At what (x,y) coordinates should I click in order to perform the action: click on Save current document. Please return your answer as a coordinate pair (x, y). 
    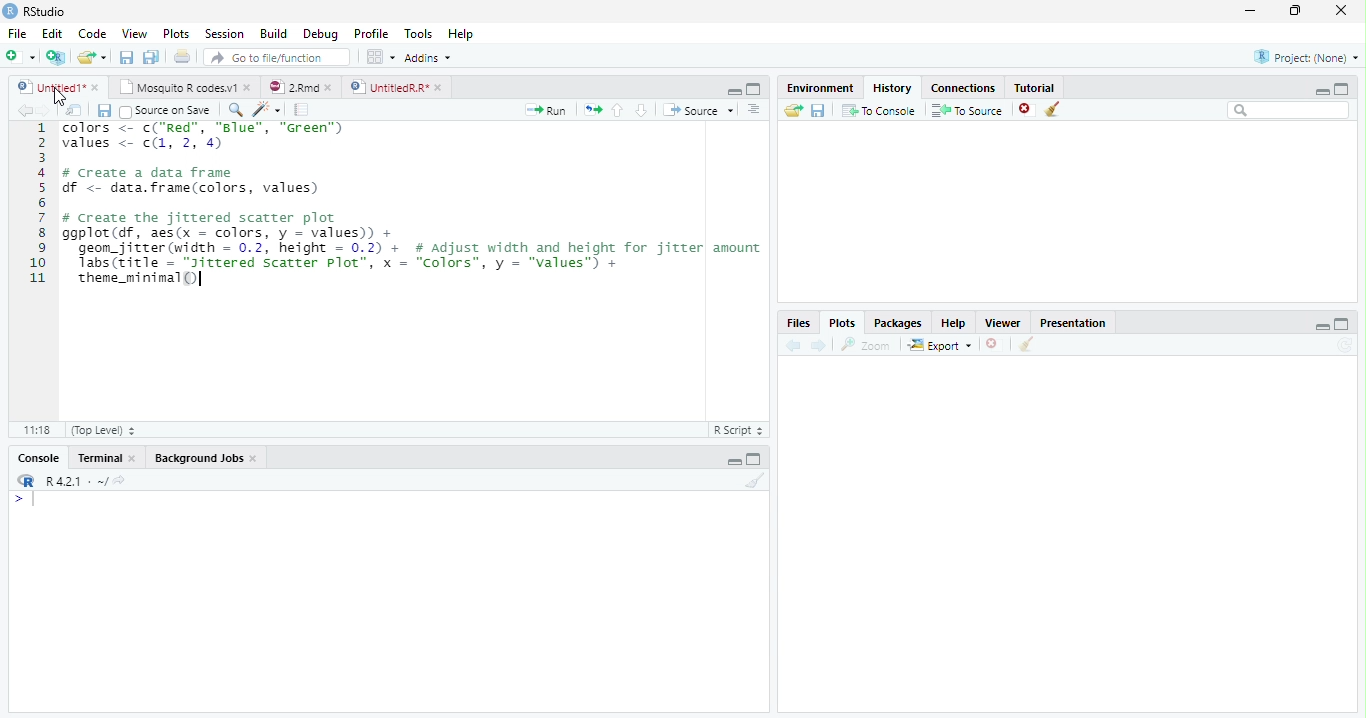
    Looking at the image, I should click on (105, 111).